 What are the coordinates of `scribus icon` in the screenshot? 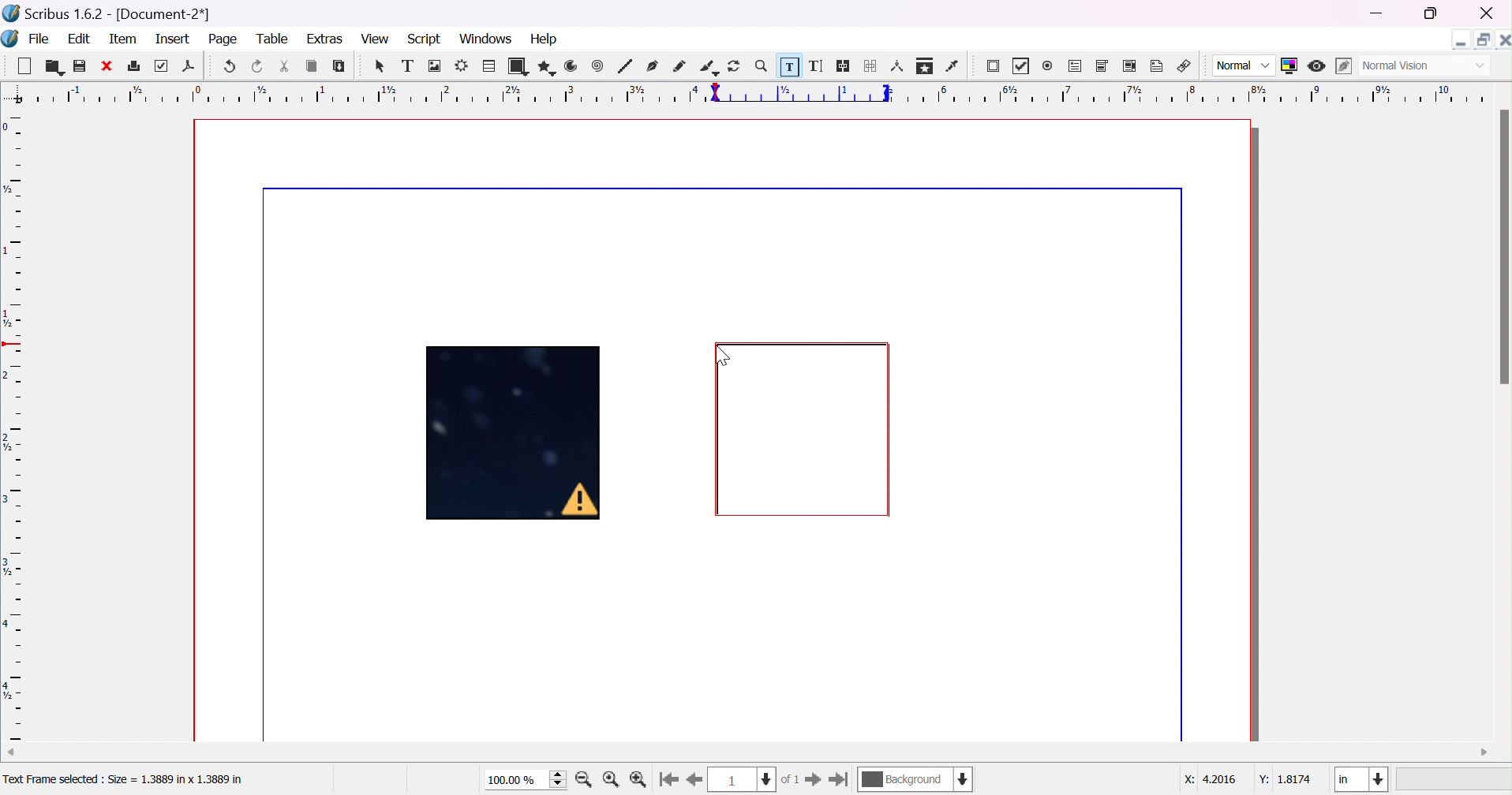 It's located at (10, 38).